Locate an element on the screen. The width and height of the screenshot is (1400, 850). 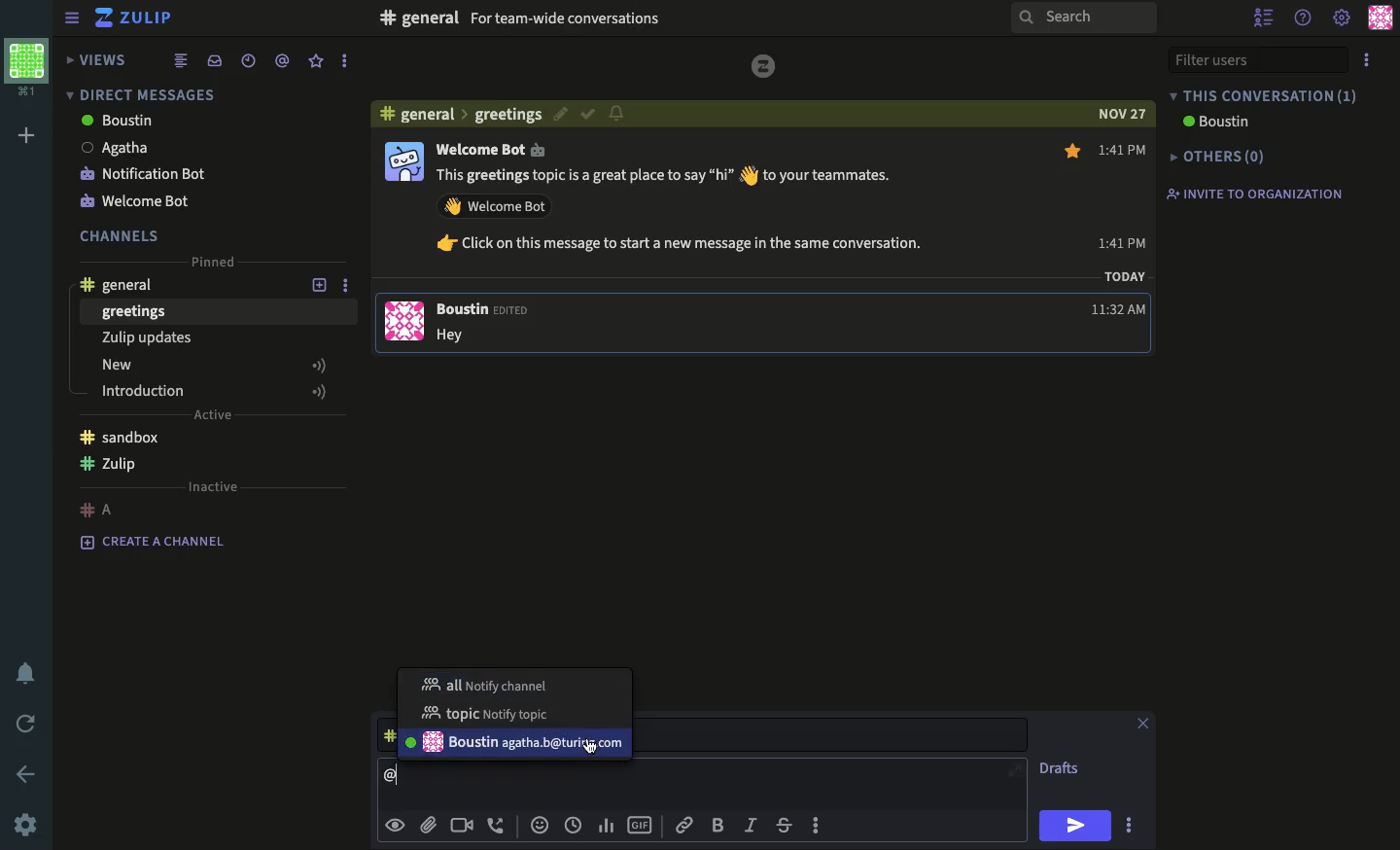
send is located at coordinates (1073, 826).